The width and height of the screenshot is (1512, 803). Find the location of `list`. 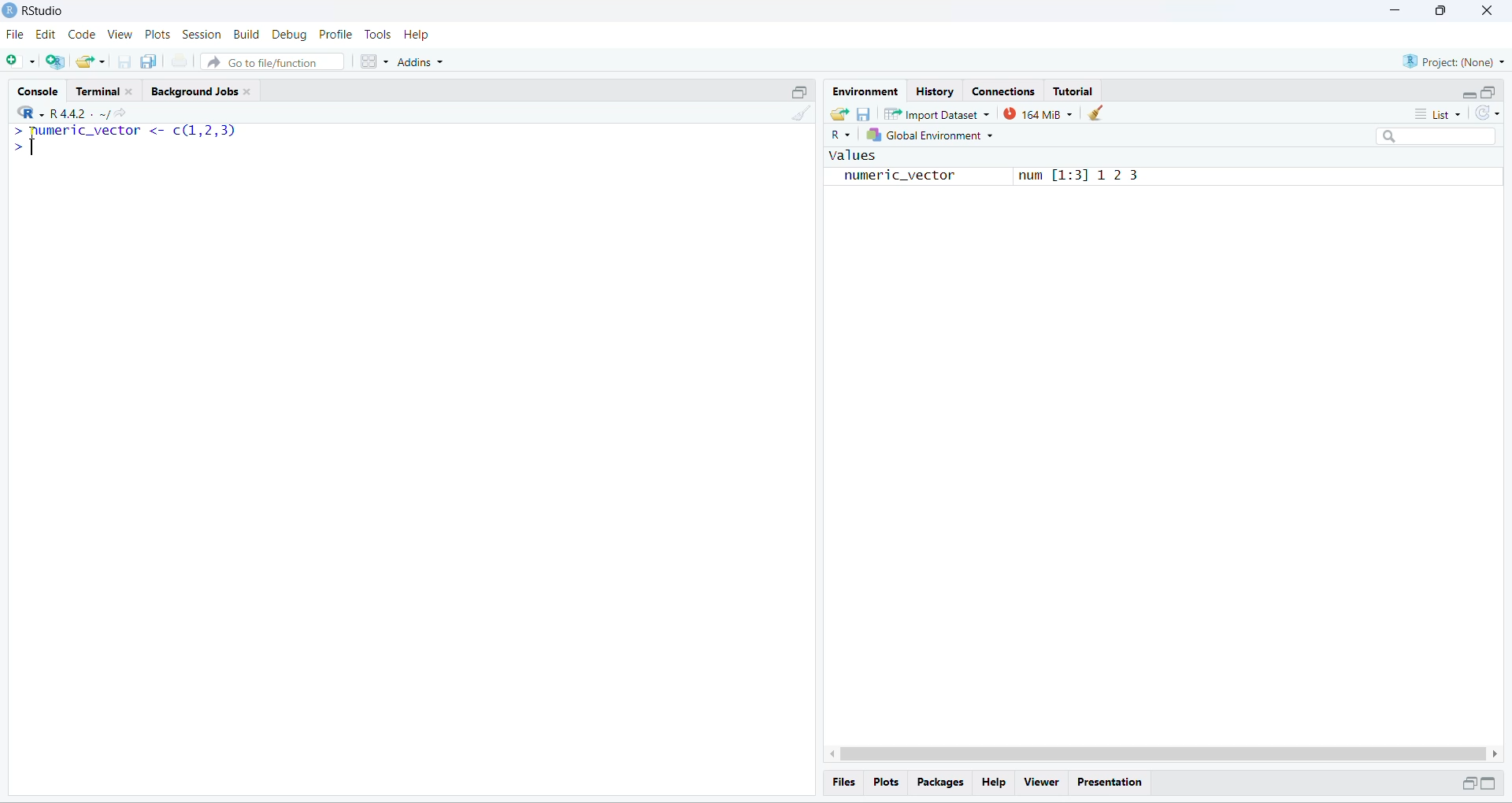

list is located at coordinates (1443, 113).